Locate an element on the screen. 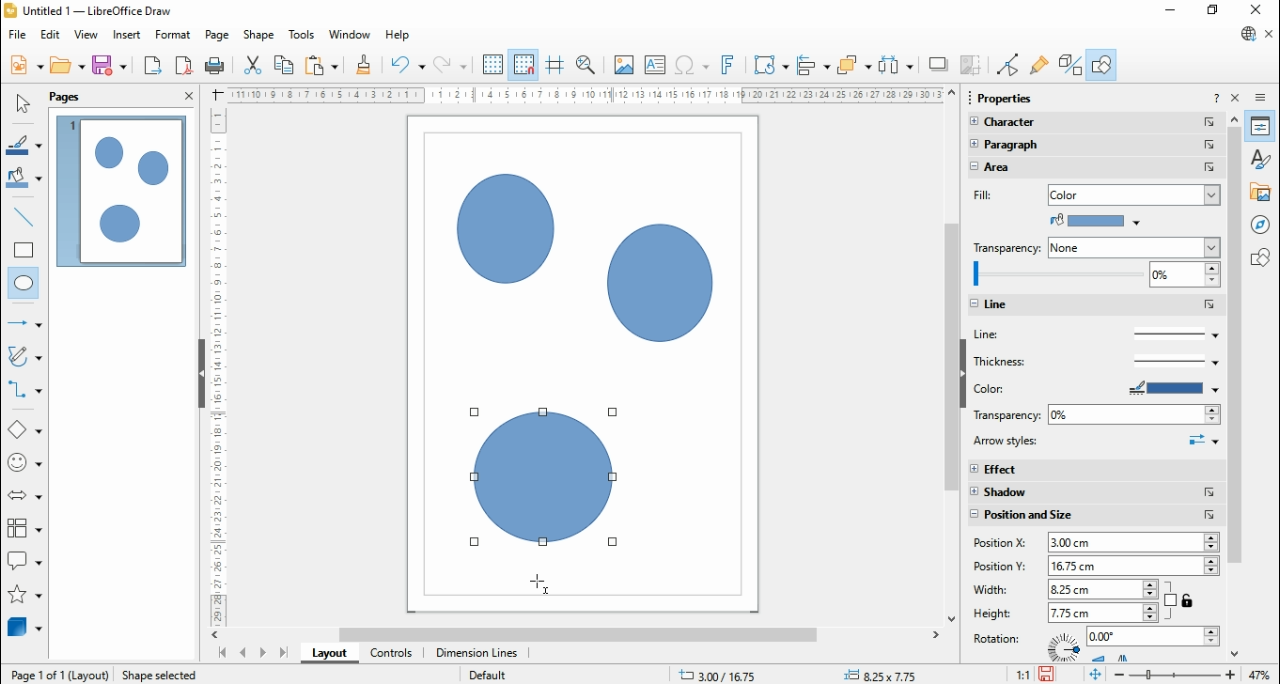 This screenshot has height=684, width=1280. gallery is located at coordinates (1263, 191).